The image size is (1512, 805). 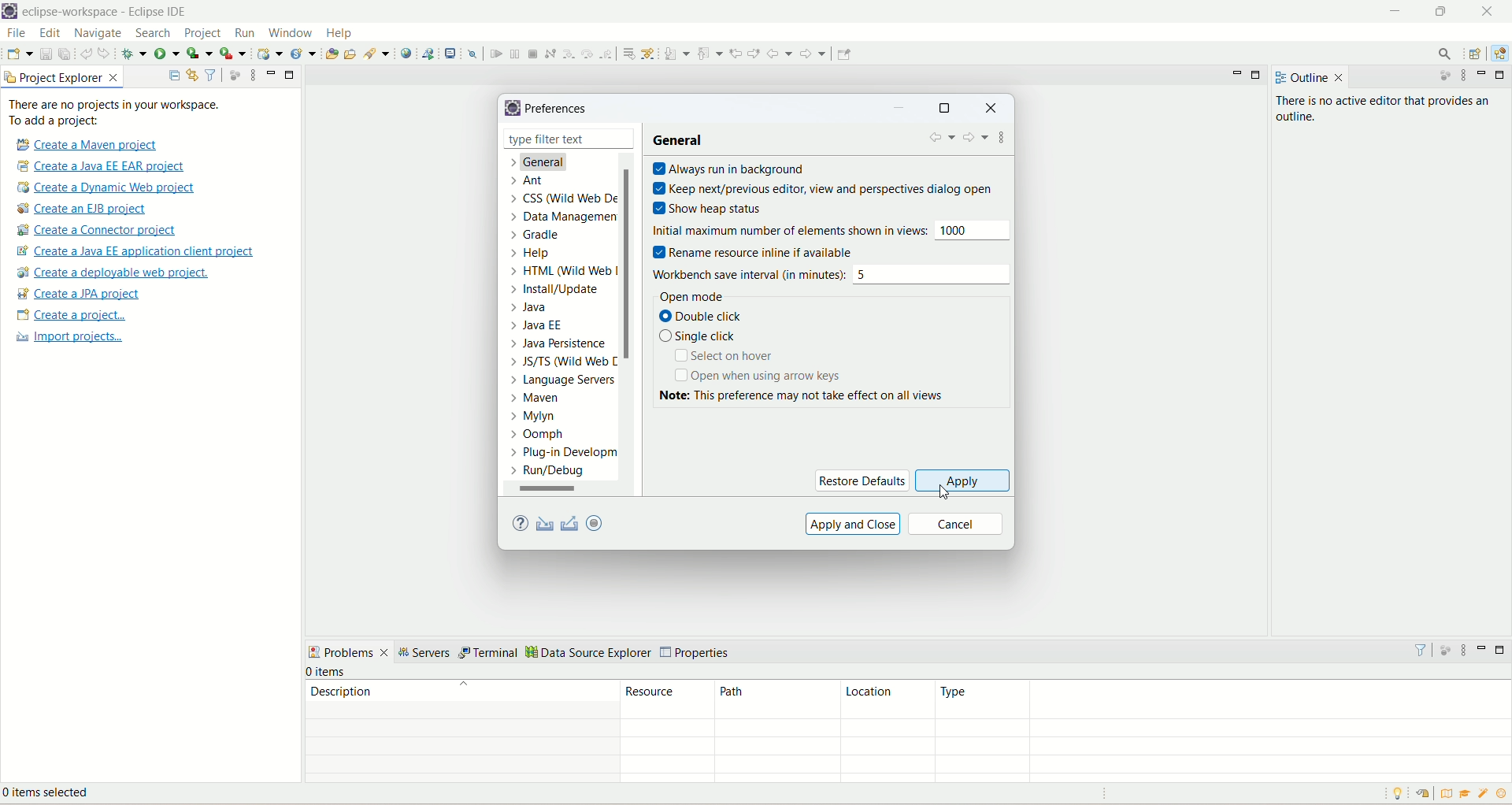 What do you see at coordinates (518, 525) in the screenshot?
I see `help` at bounding box center [518, 525].